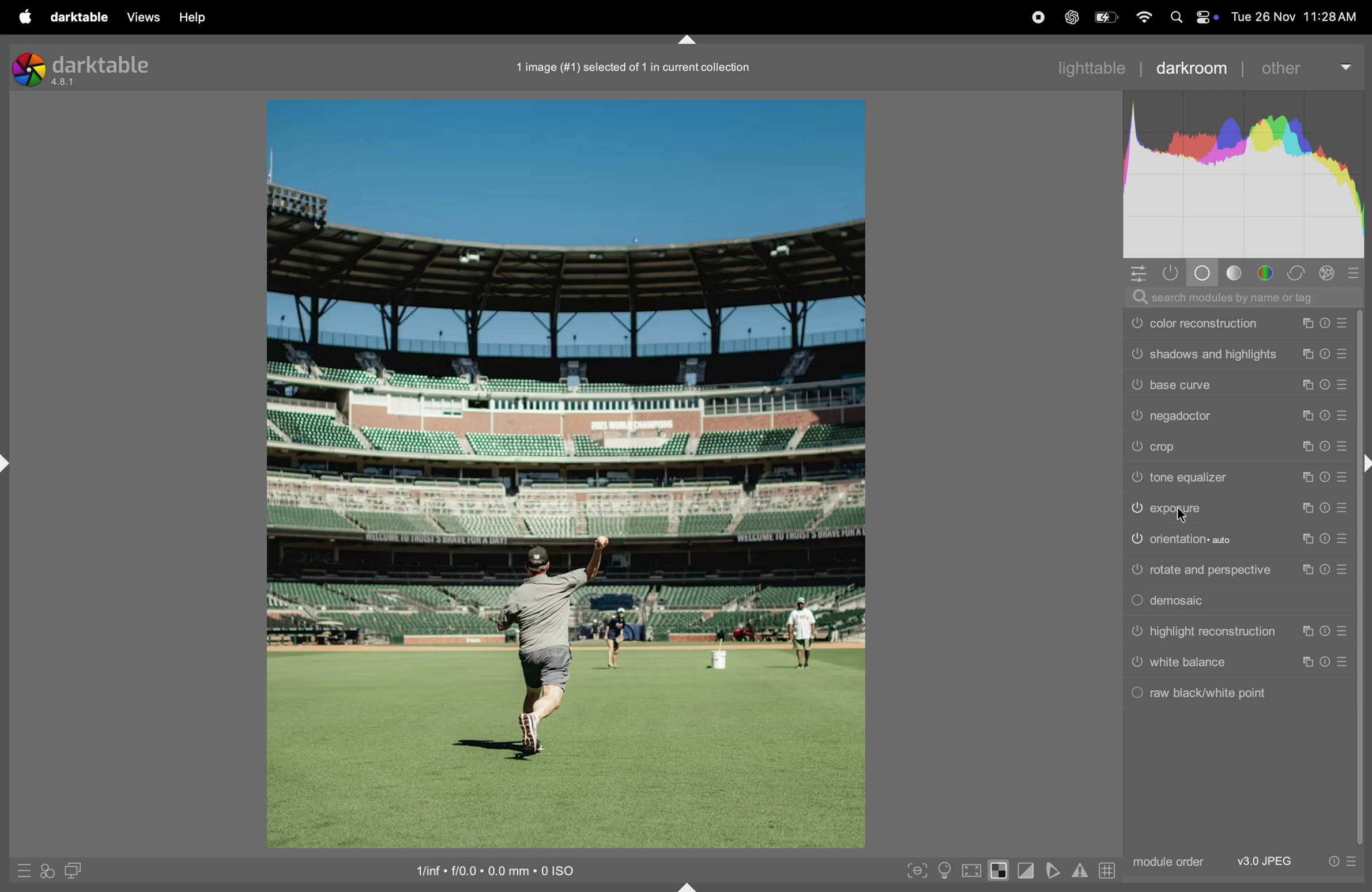  I want to click on exposure, so click(1181, 511).